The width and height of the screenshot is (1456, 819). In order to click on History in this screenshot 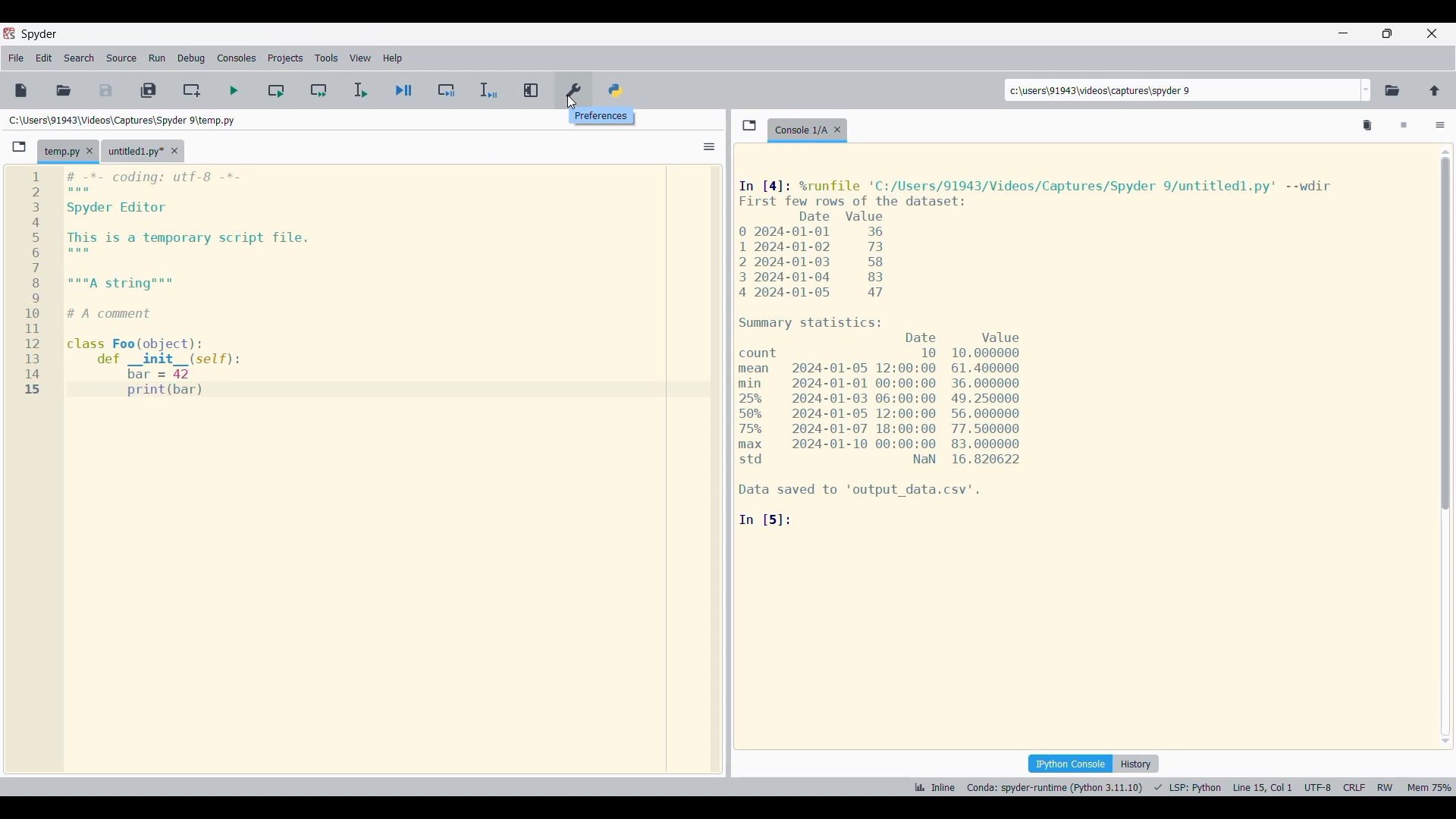, I will do `click(1136, 764)`.